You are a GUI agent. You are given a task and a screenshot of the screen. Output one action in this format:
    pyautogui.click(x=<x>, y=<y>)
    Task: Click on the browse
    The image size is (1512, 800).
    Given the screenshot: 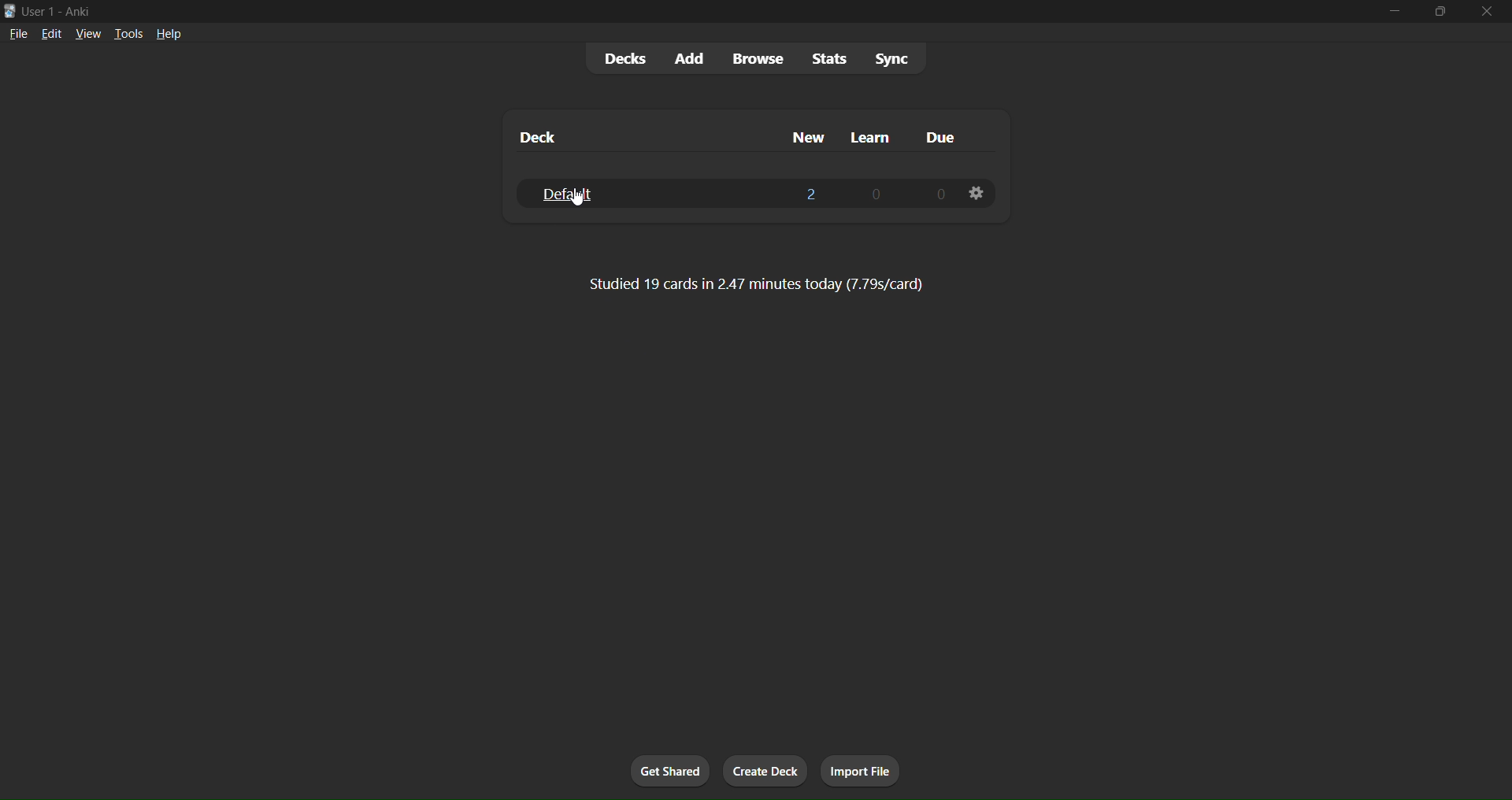 What is the action you would take?
    pyautogui.click(x=759, y=60)
    